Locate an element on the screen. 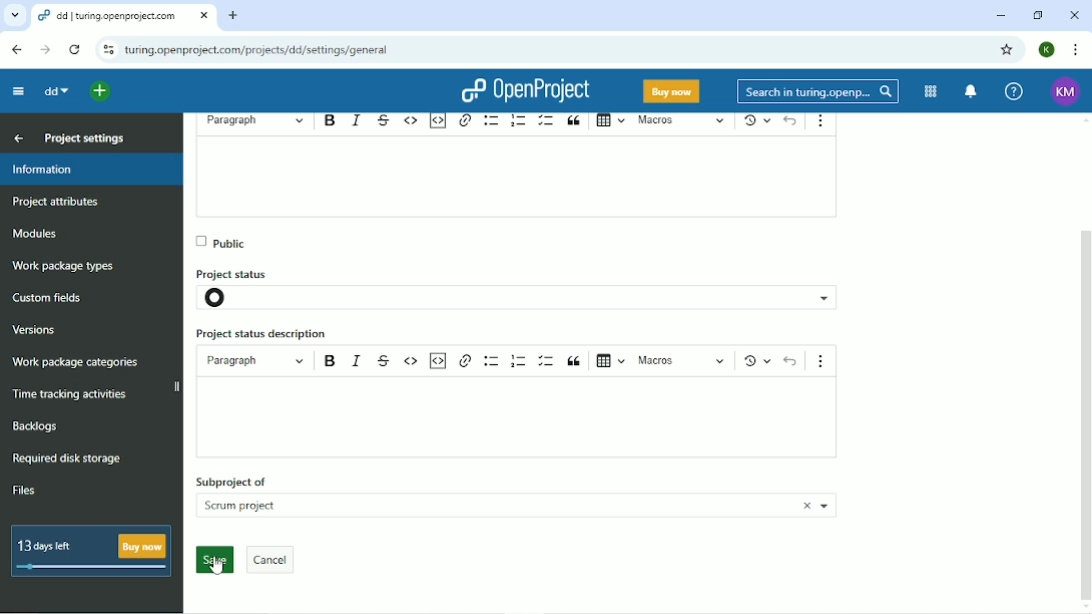 This screenshot has height=614, width=1092. italics is located at coordinates (357, 362).